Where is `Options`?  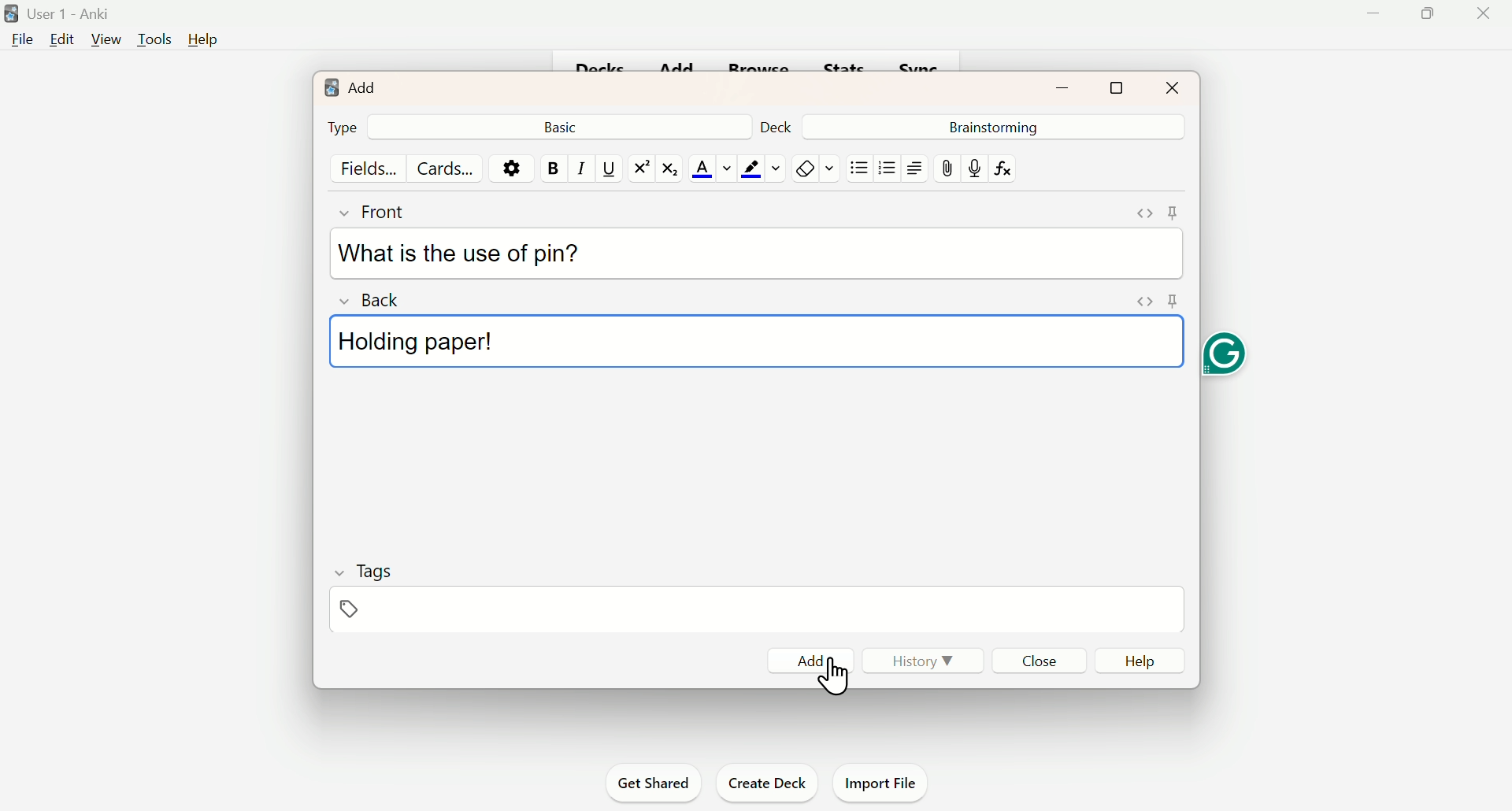
Options is located at coordinates (511, 167).